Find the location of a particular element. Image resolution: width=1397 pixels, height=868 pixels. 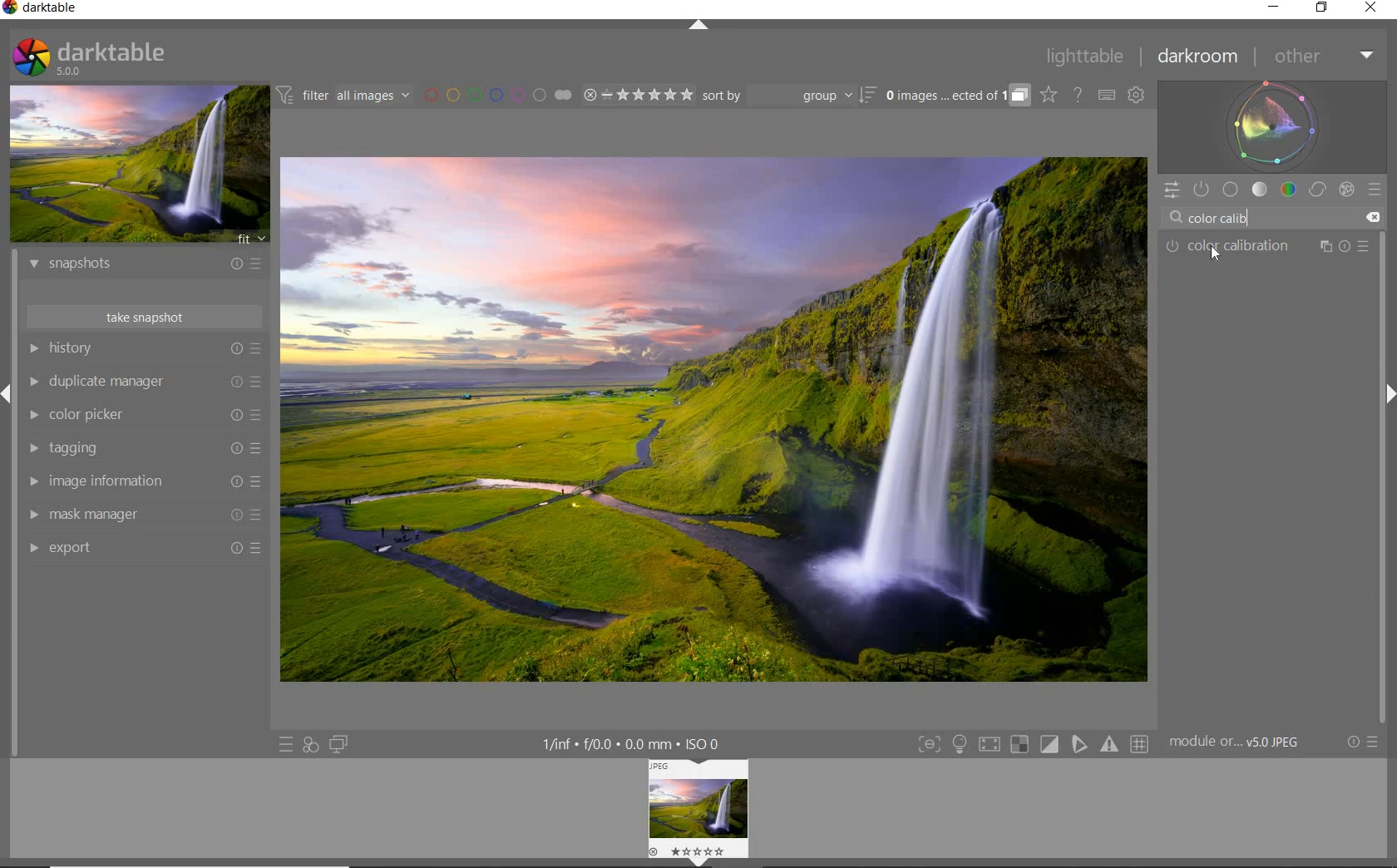

preset is located at coordinates (1376, 192).